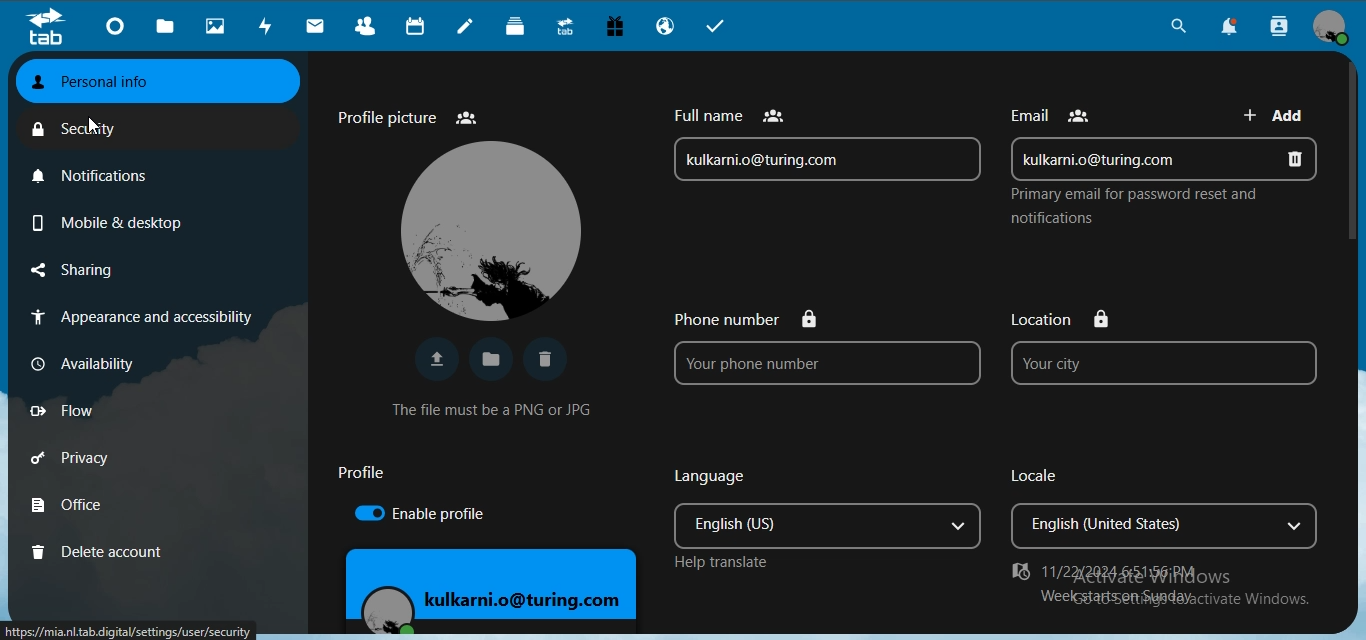 The image size is (1366, 640). I want to click on browse files, so click(491, 361).